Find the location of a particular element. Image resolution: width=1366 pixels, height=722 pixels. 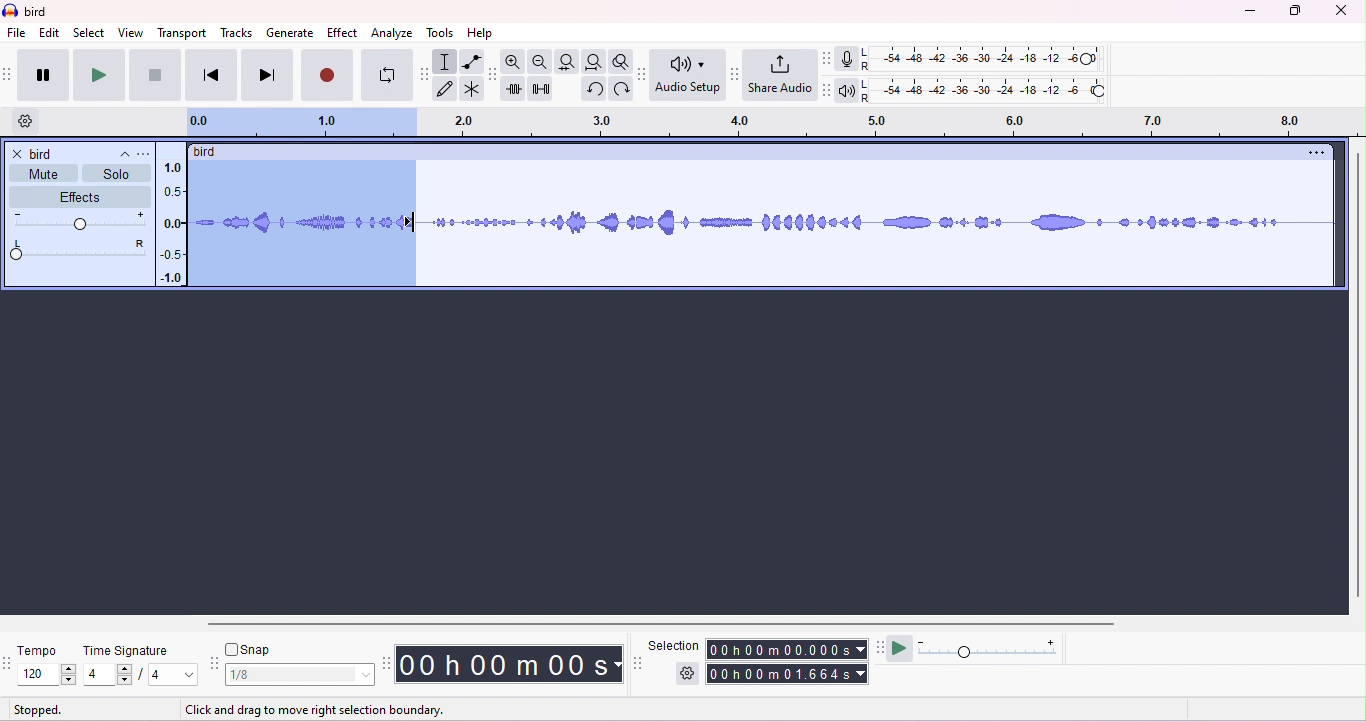

logo is located at coordinates (11, 12).